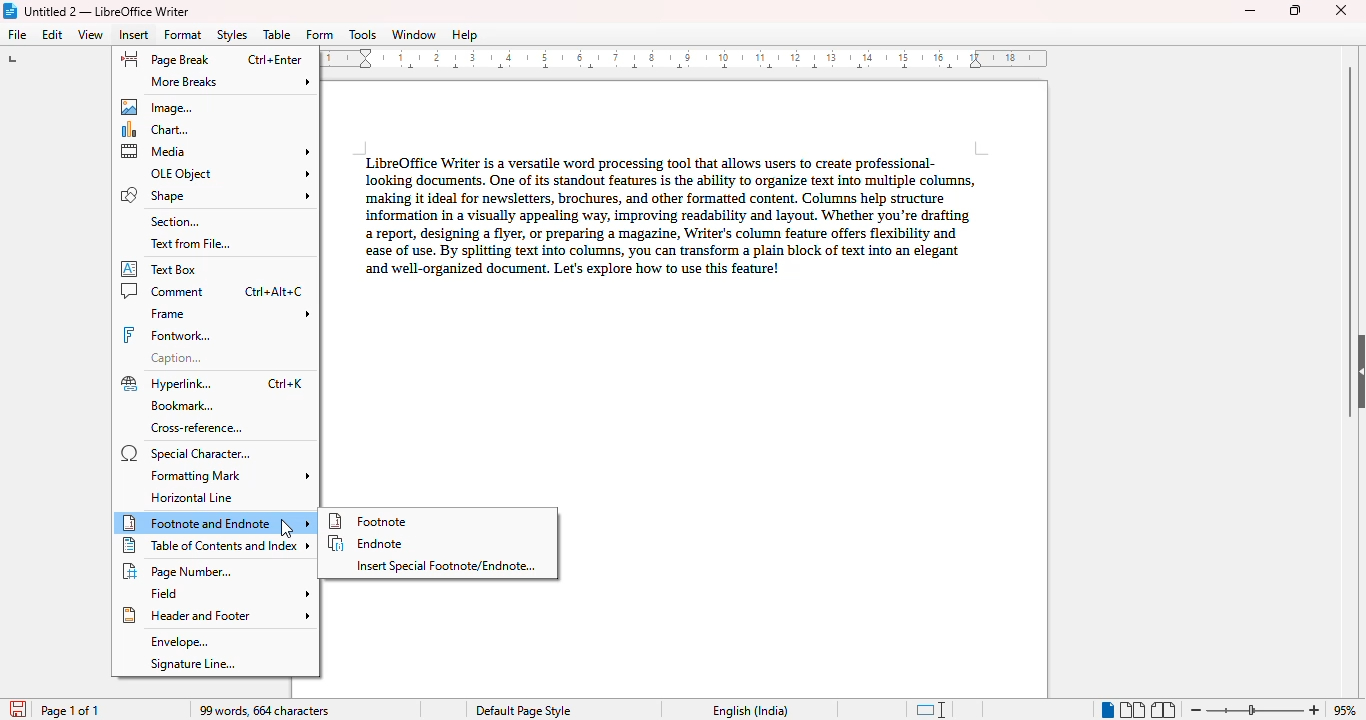  I want to click on comment, so click(211, 291).